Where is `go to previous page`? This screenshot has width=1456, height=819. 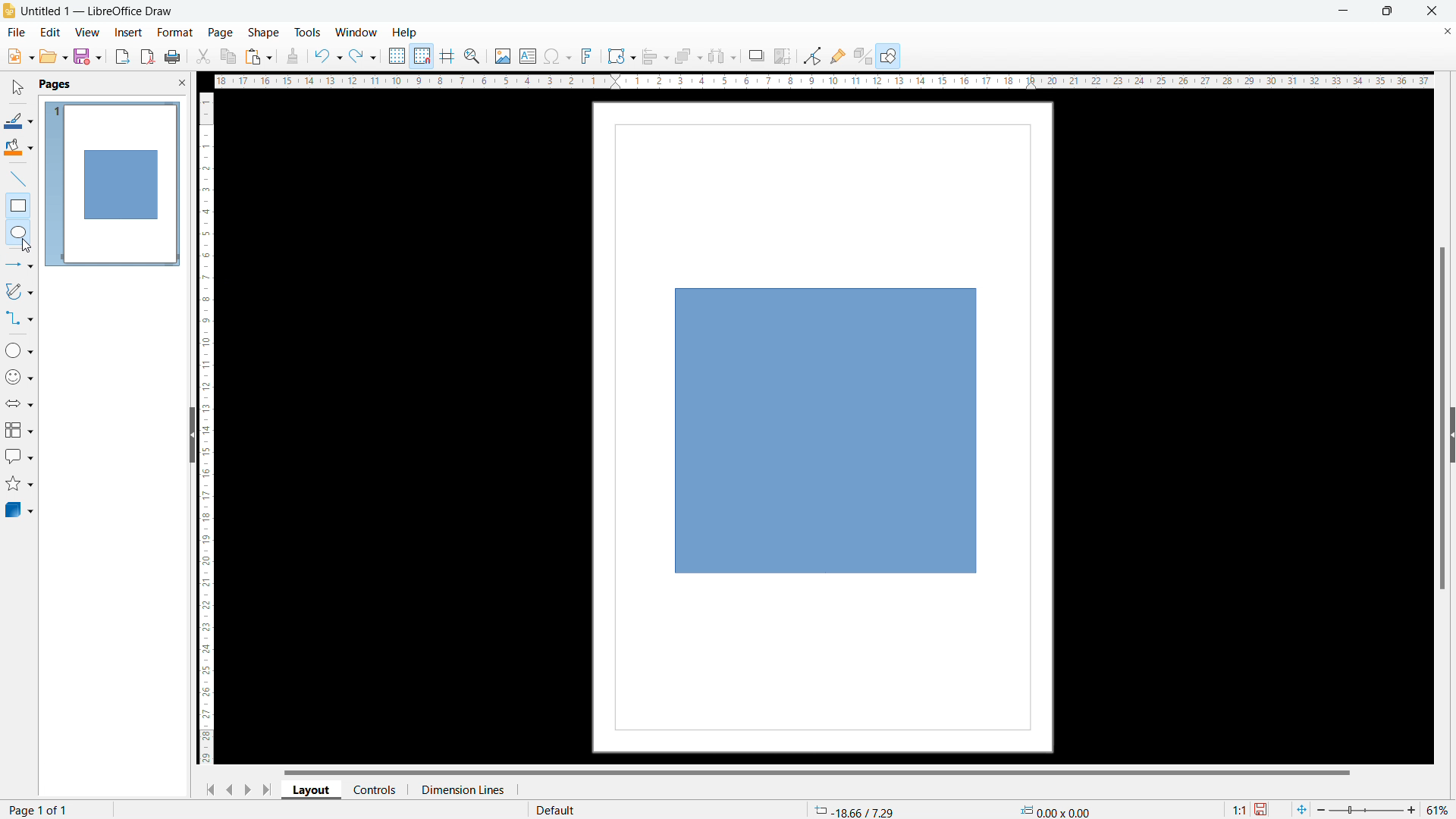
go to previous page is located at coordinates (230, 787).